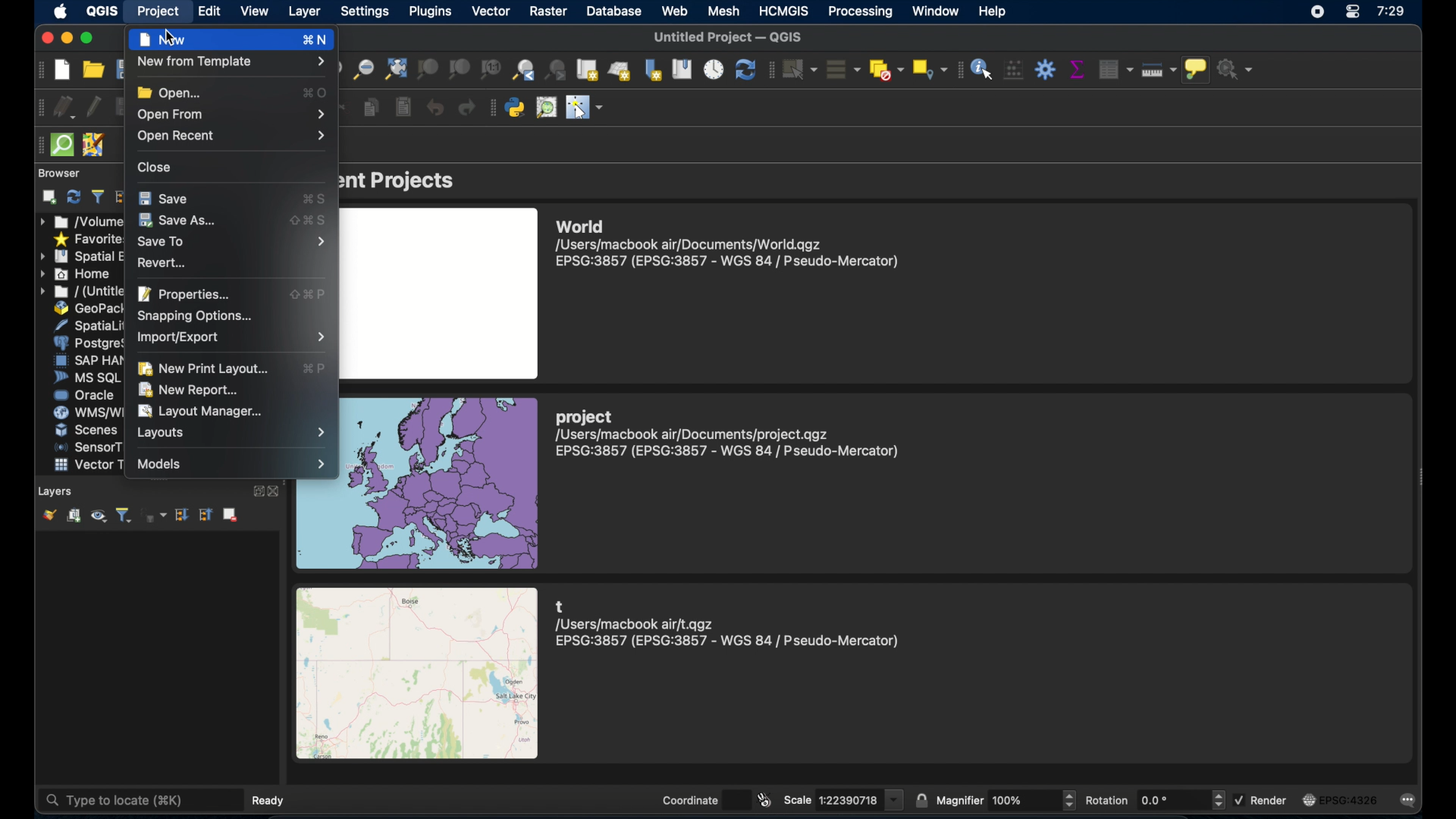 The width and height of the screenshot is (1456, 819). I want to click on new print layout, so click(204, 368).